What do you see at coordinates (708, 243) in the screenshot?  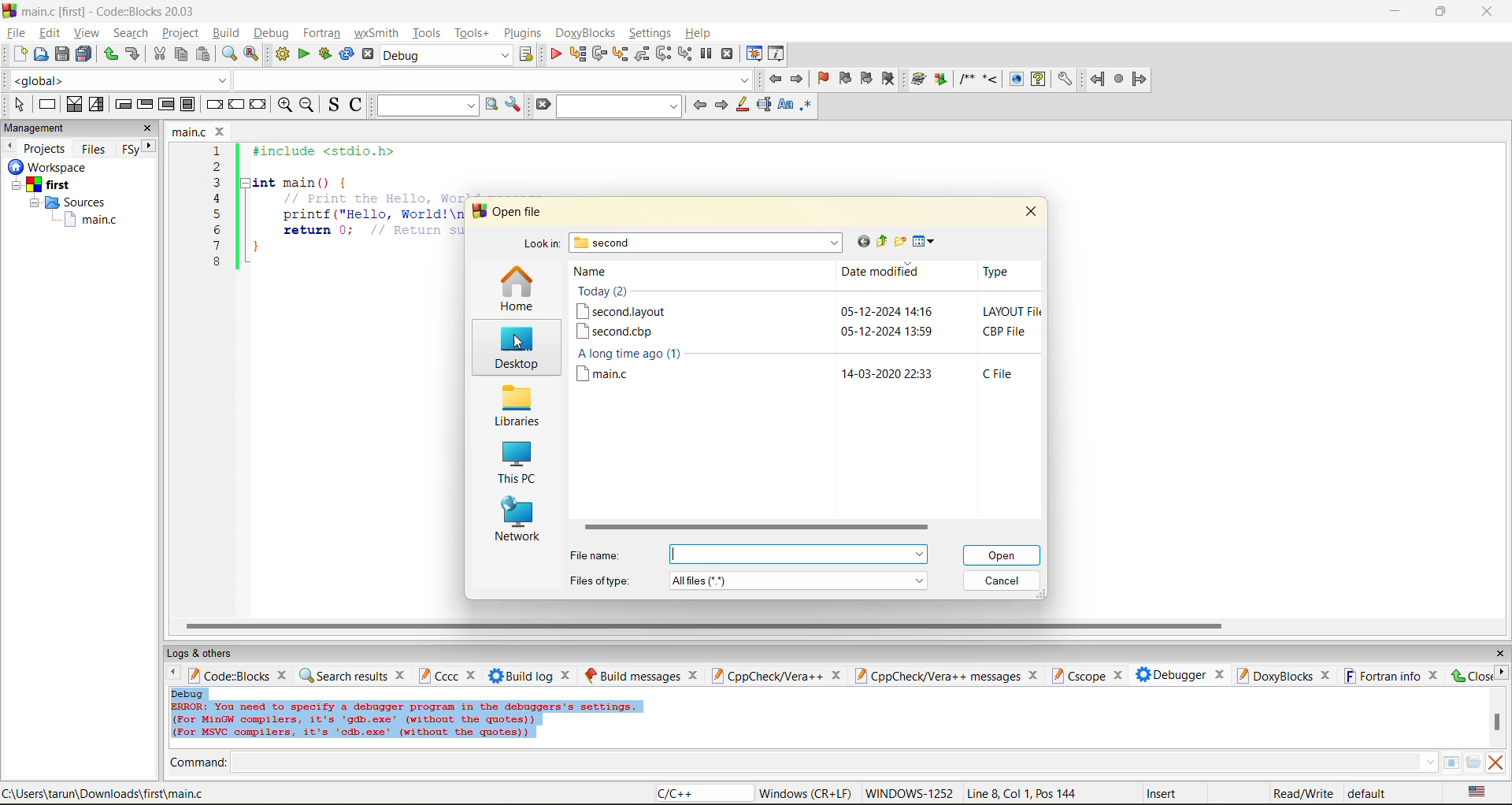 I see `folder name` at bounding box center [708, 243].